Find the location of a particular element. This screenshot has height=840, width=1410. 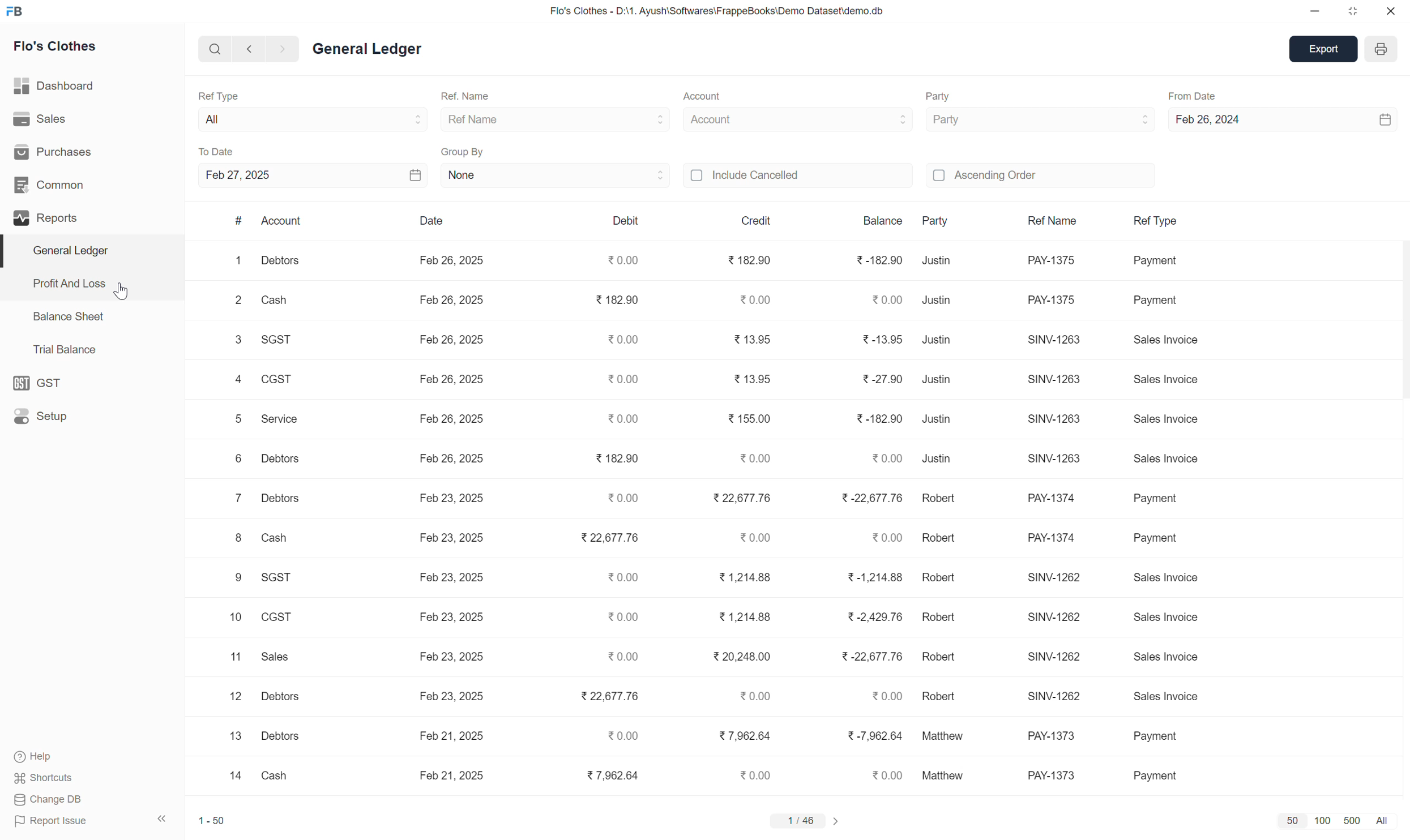

8 is located at coordinates (236, 540).